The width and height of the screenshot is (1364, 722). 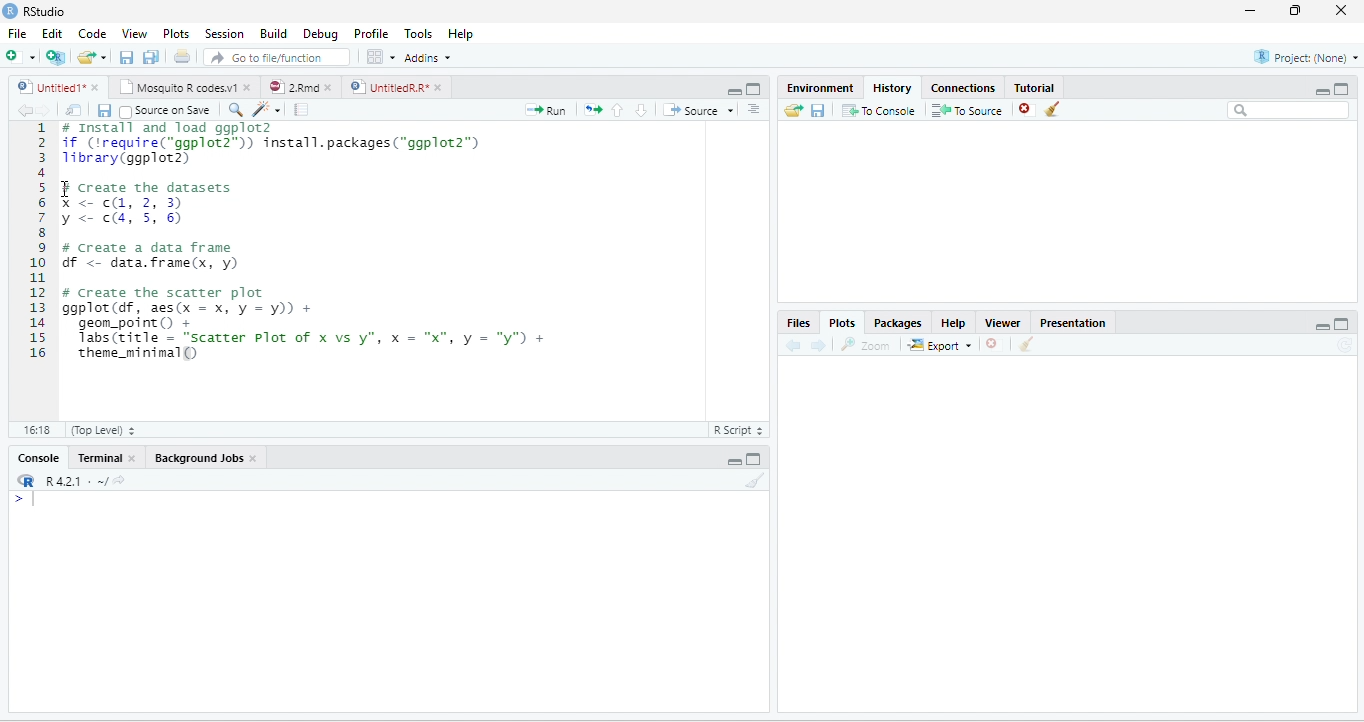 I want to click on R, so click(x=25, y=480).